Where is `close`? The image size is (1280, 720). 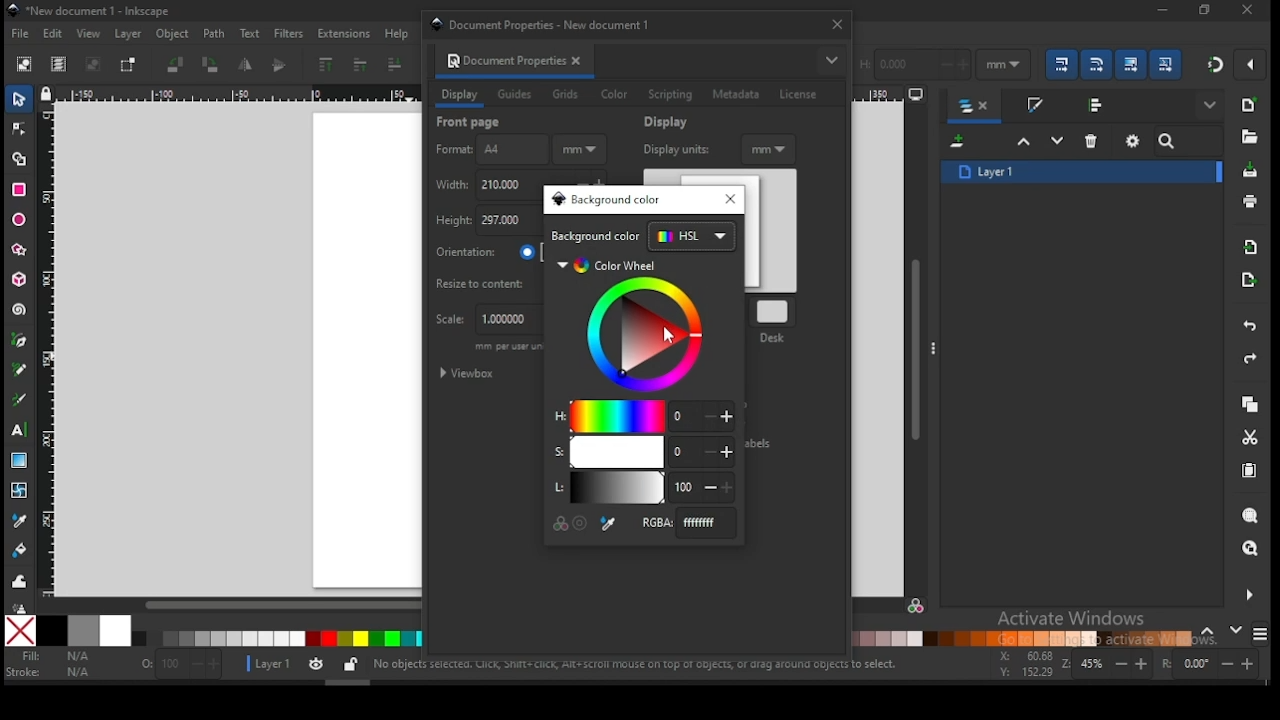
close is located at coordinates (580, 61).